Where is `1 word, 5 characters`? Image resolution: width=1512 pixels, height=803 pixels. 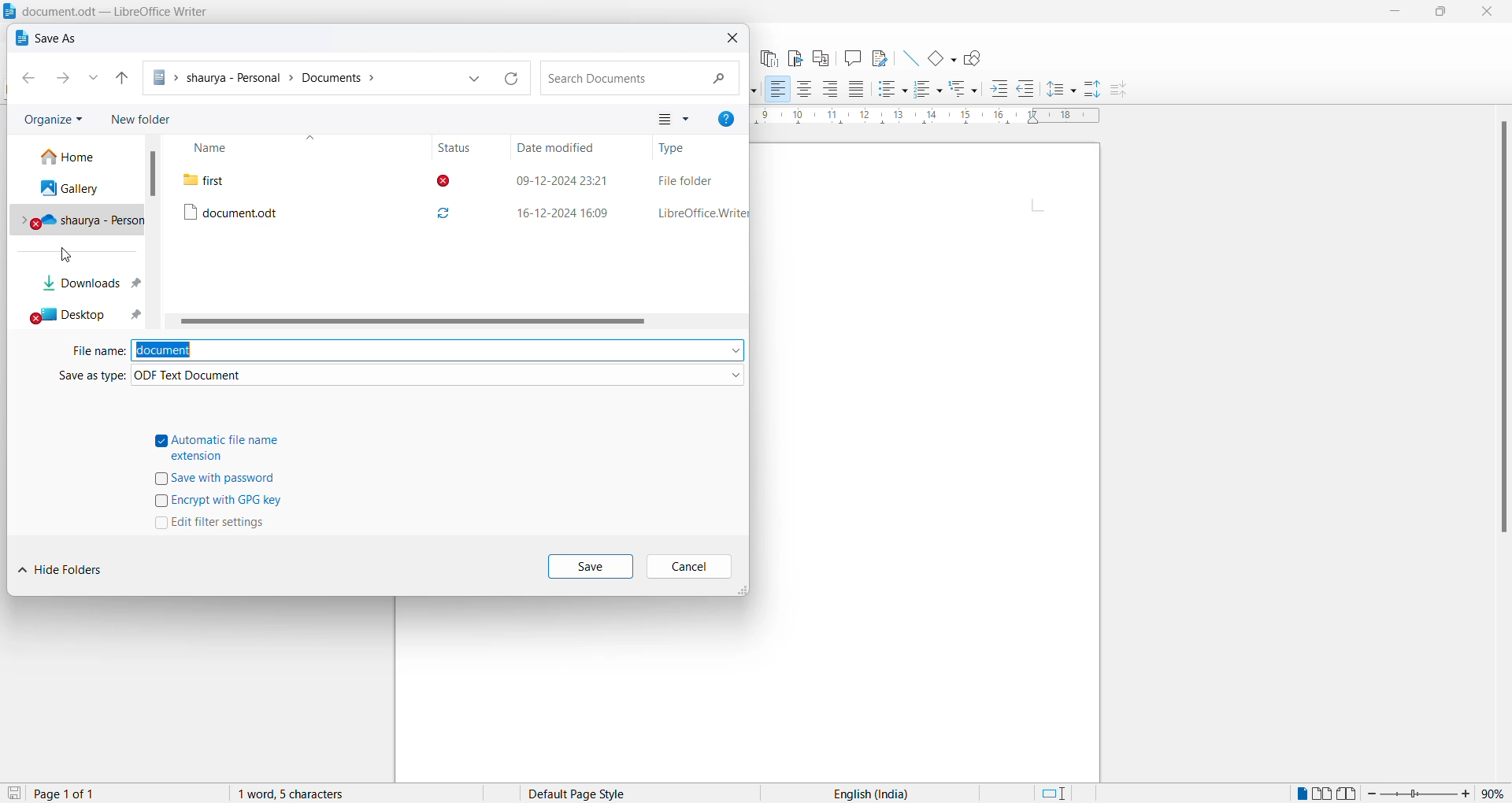 1 word, 5 characters is located at coordinates (329, 794).